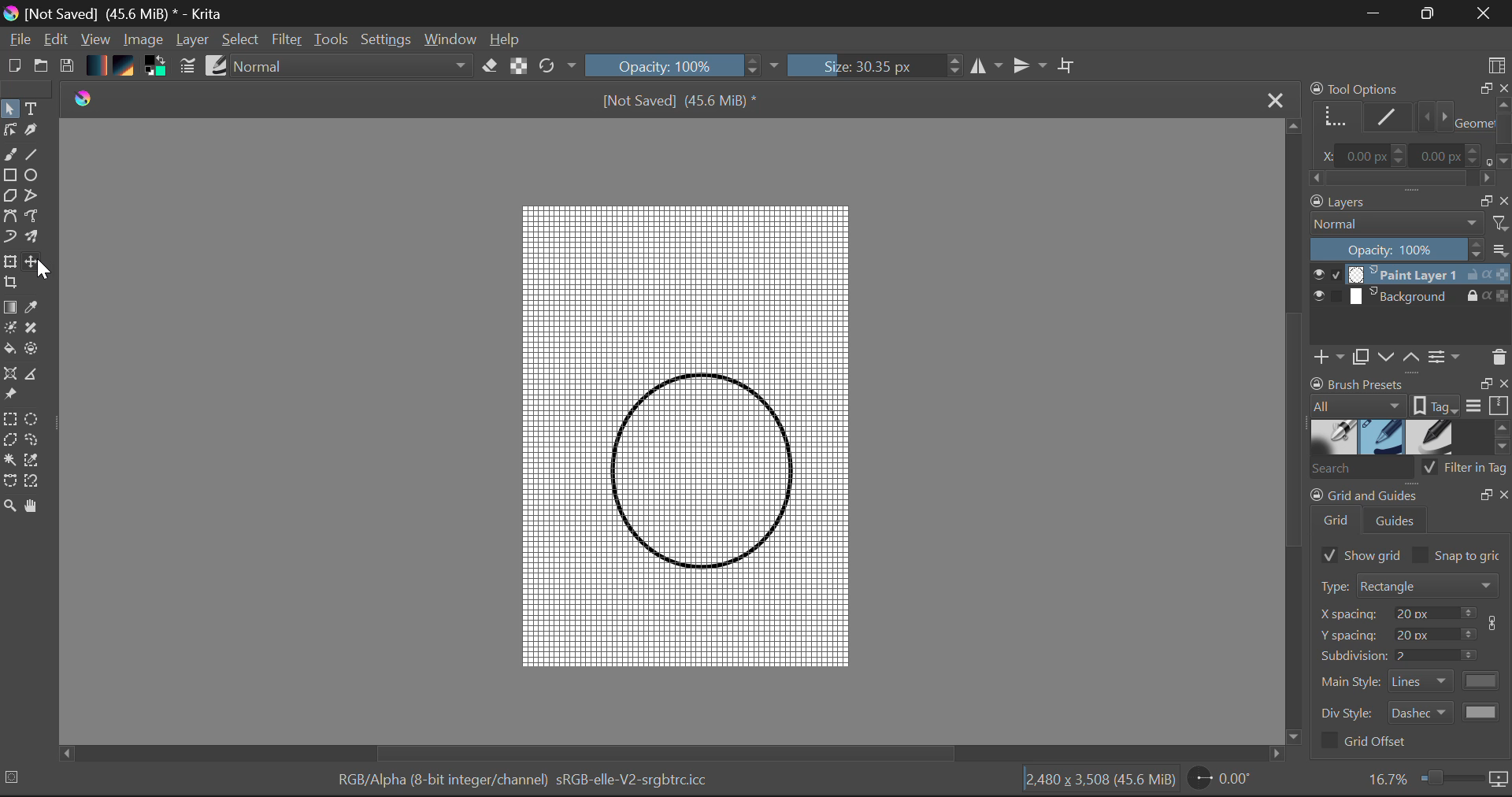 This screenshot has width=1512, height=797. I want to click on View, so click(96, 39).